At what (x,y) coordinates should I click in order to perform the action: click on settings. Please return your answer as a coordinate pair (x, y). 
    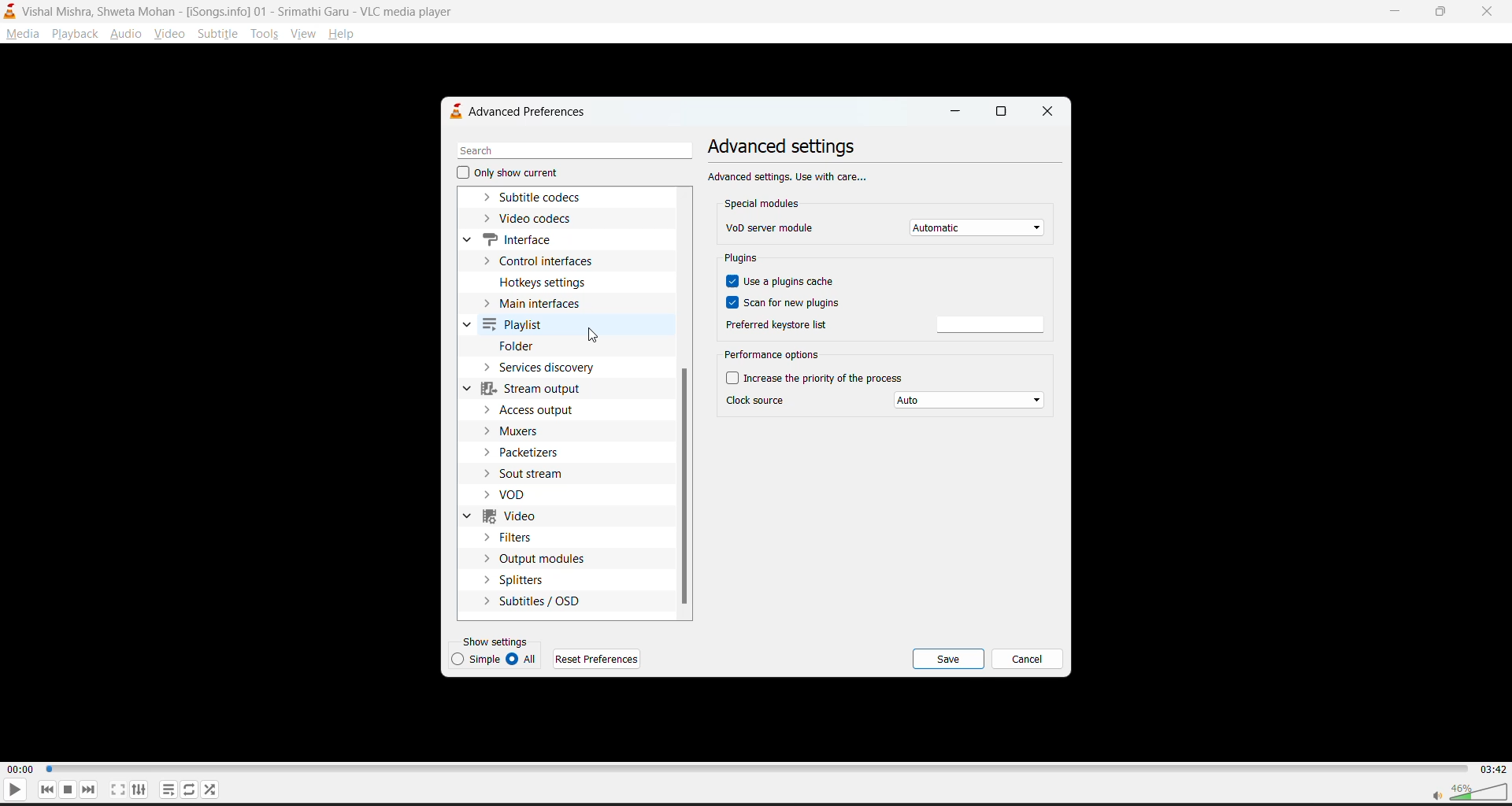
    Looking at the image, I should click on (137, 790).